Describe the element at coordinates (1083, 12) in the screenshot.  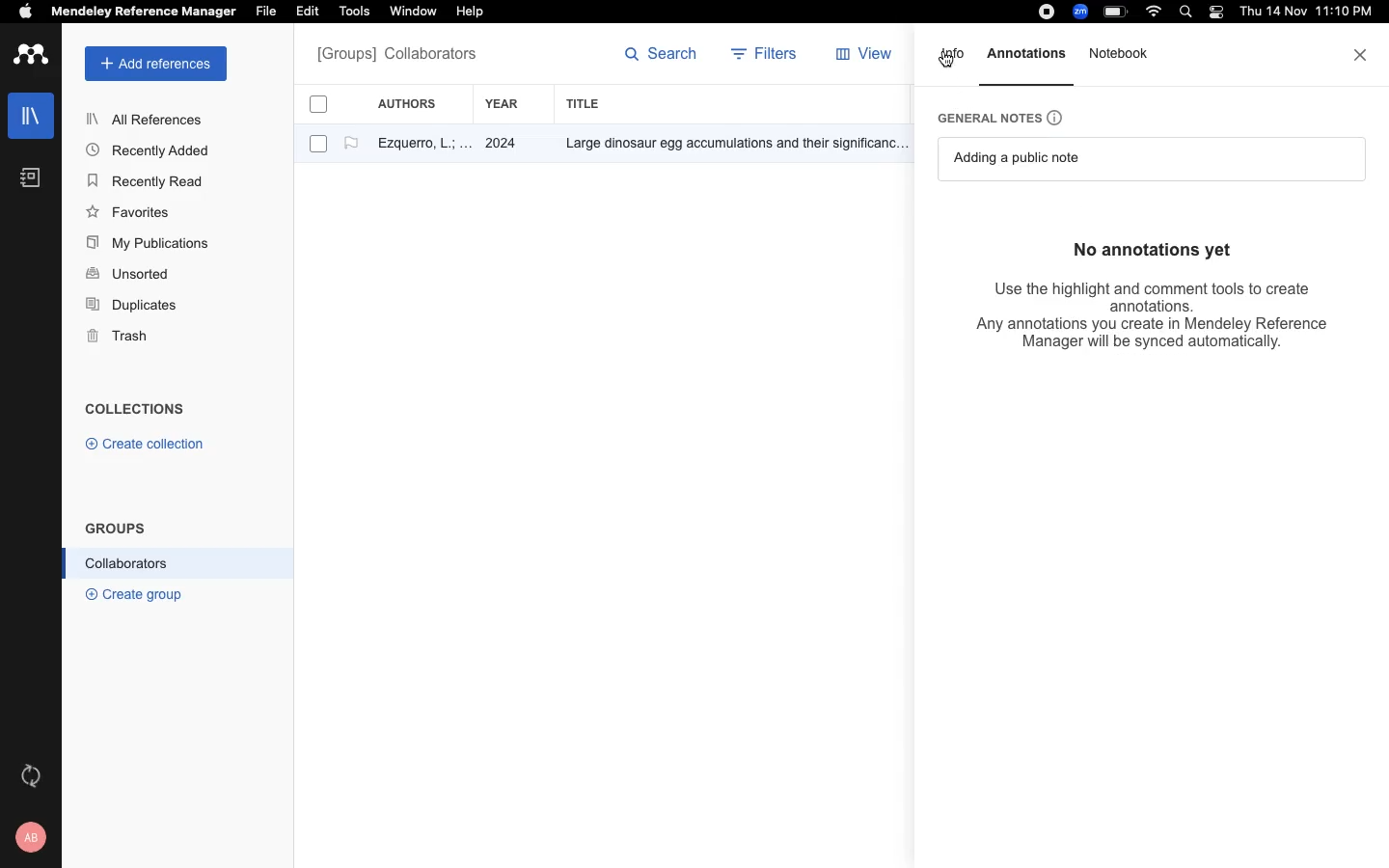
I see `zoom` at that location.